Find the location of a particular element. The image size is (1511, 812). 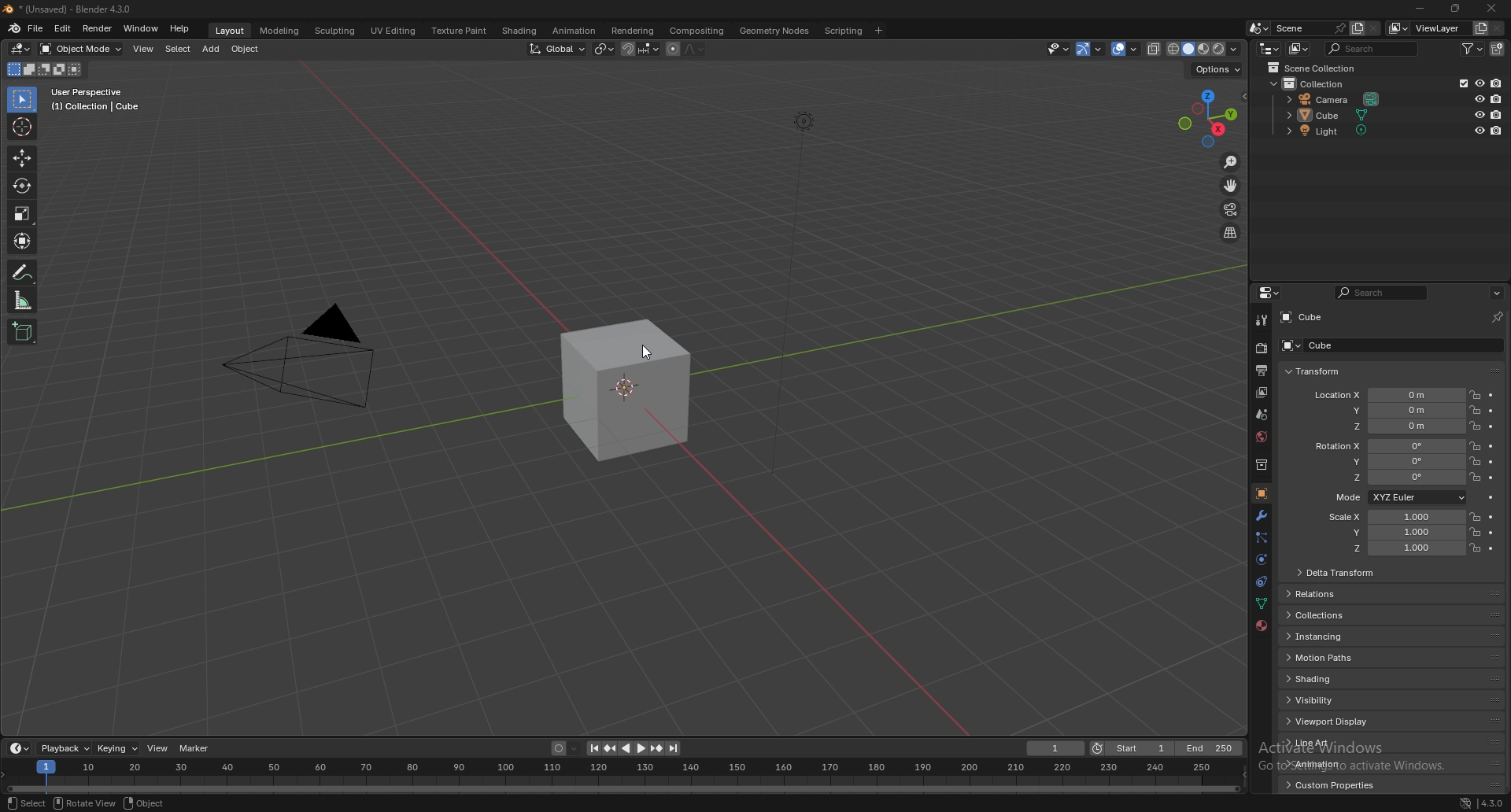

remove scene is located at coordinates (1373, 28).